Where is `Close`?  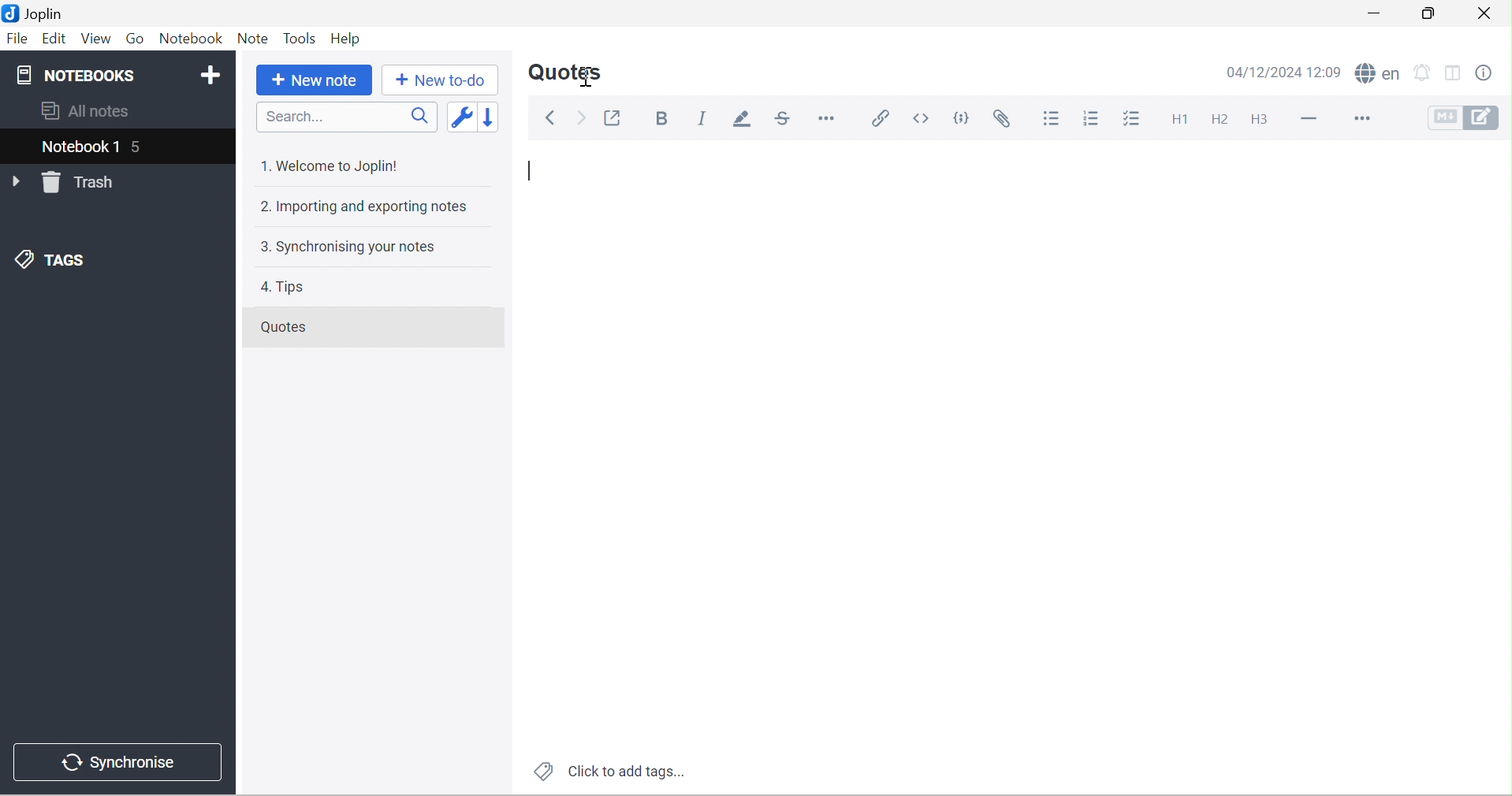
Close is located at coordinates (1487, 15).